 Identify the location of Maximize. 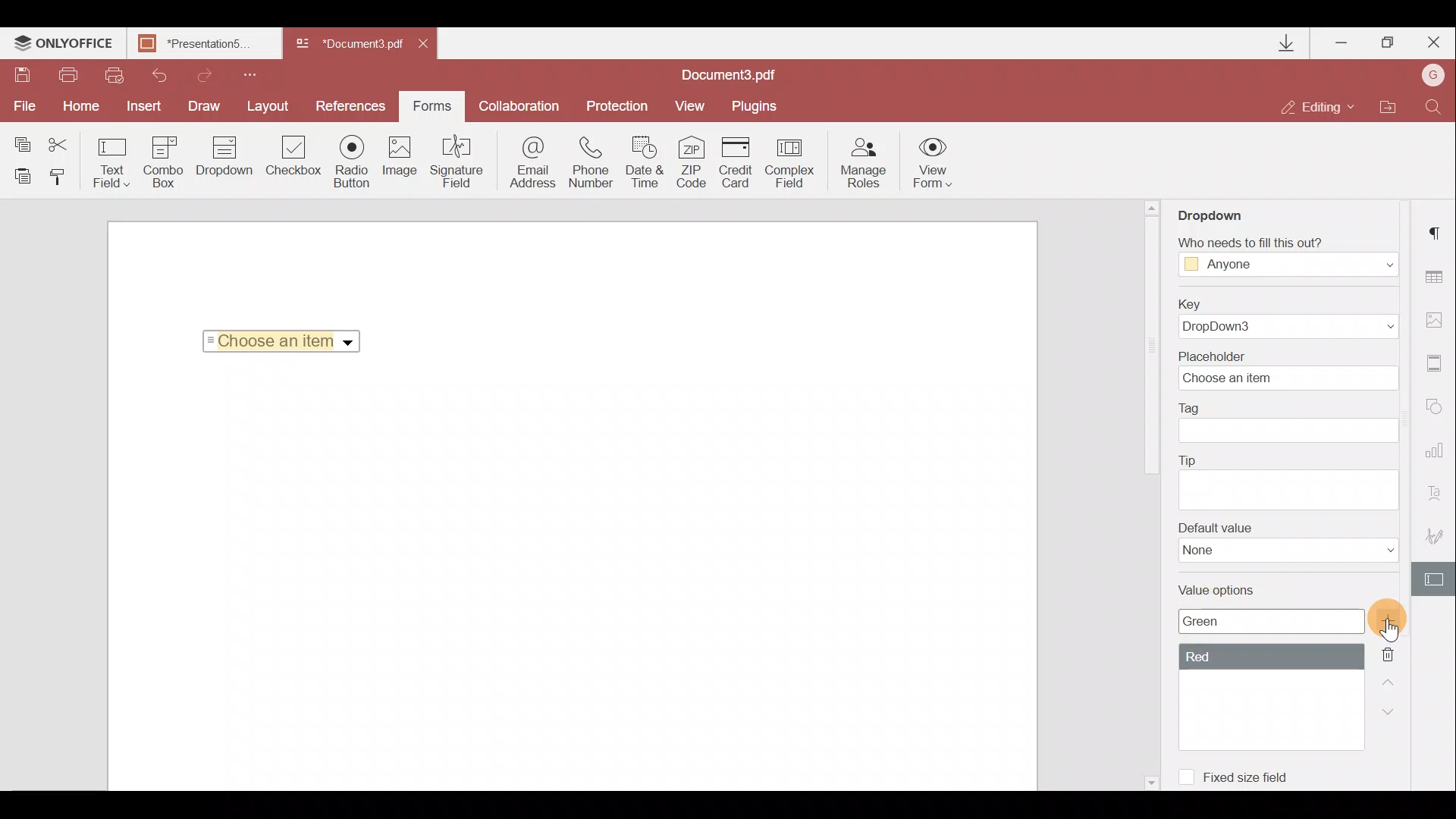
(1387, 45).